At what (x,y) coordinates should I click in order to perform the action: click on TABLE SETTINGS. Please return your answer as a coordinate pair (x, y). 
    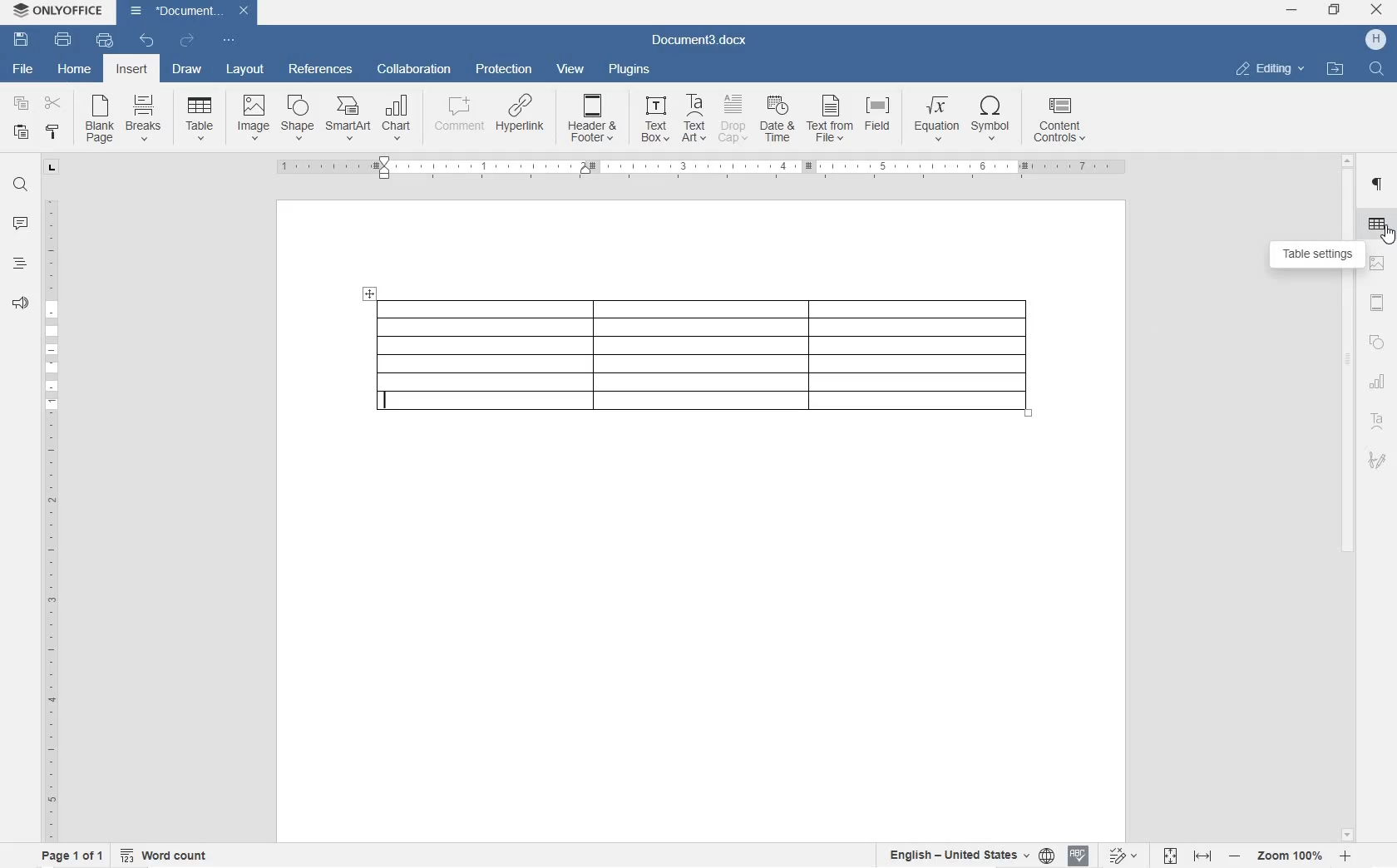
    Looking at the image, I should click on (1377, 224).